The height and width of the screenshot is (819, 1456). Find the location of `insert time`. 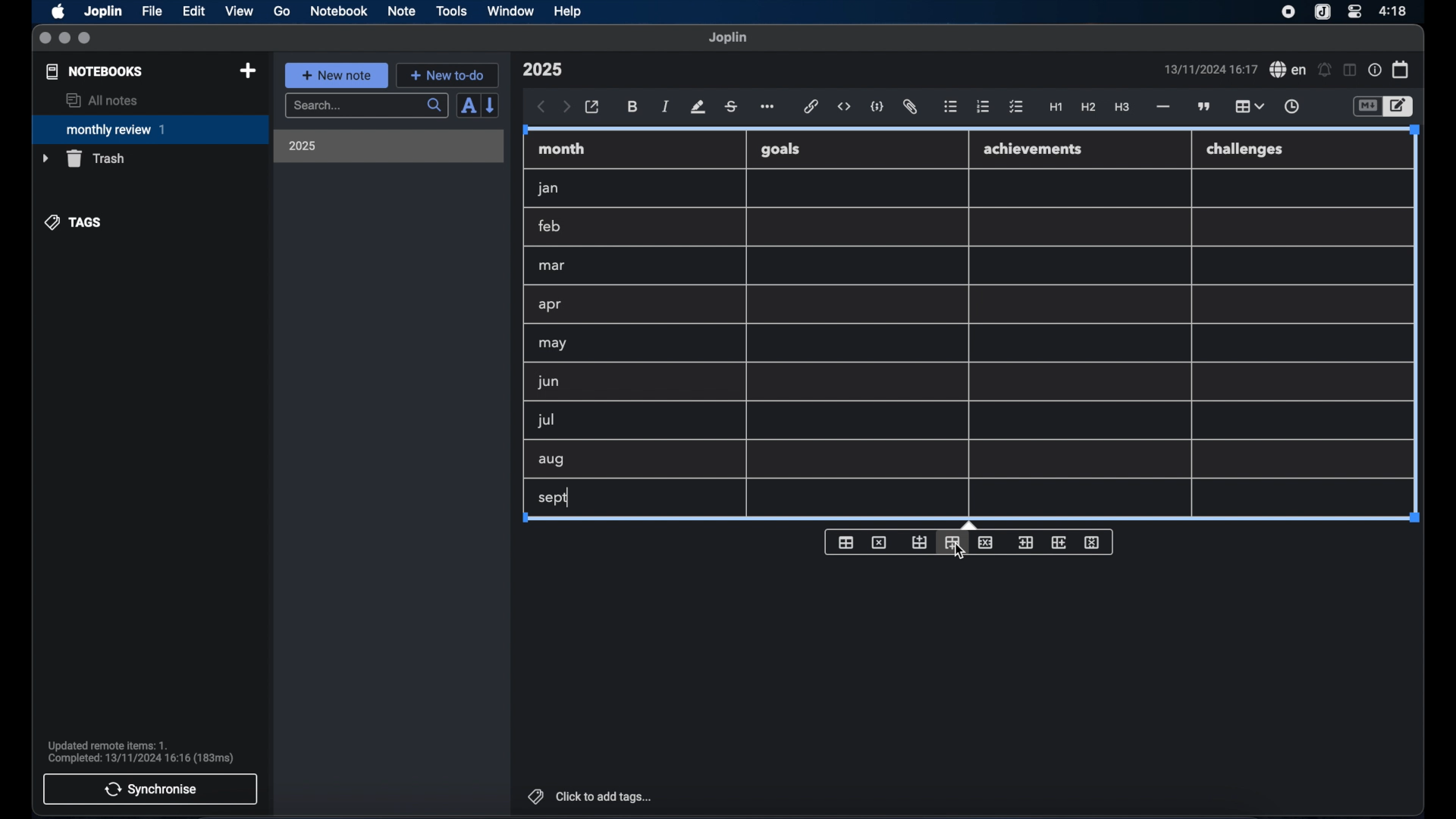

insert time is located at coordinates (1291, 107).